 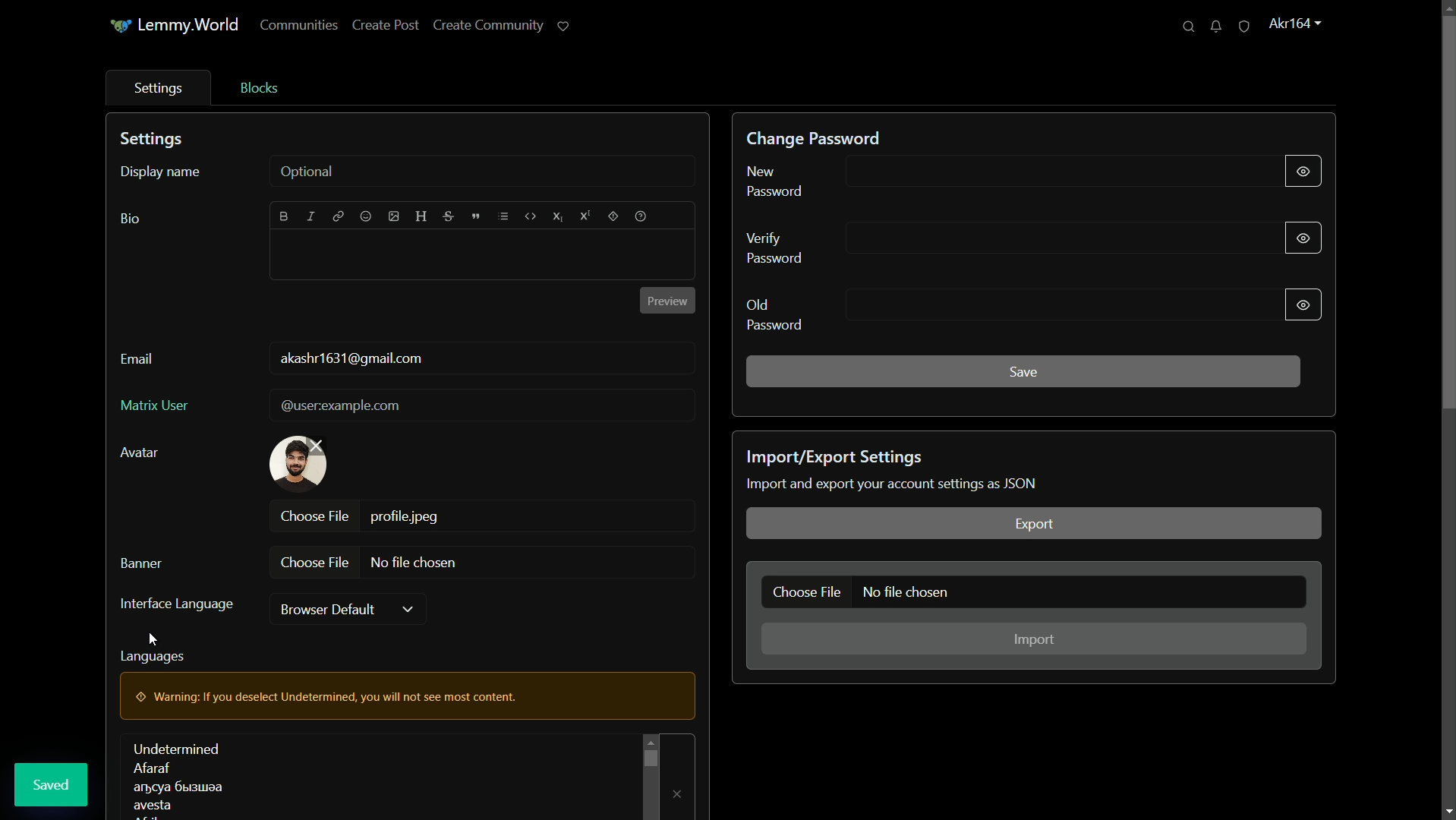 What do you see at coordinates (1301, 304) in the screenshot?
I see `show` at bounding box center [1301, 304].